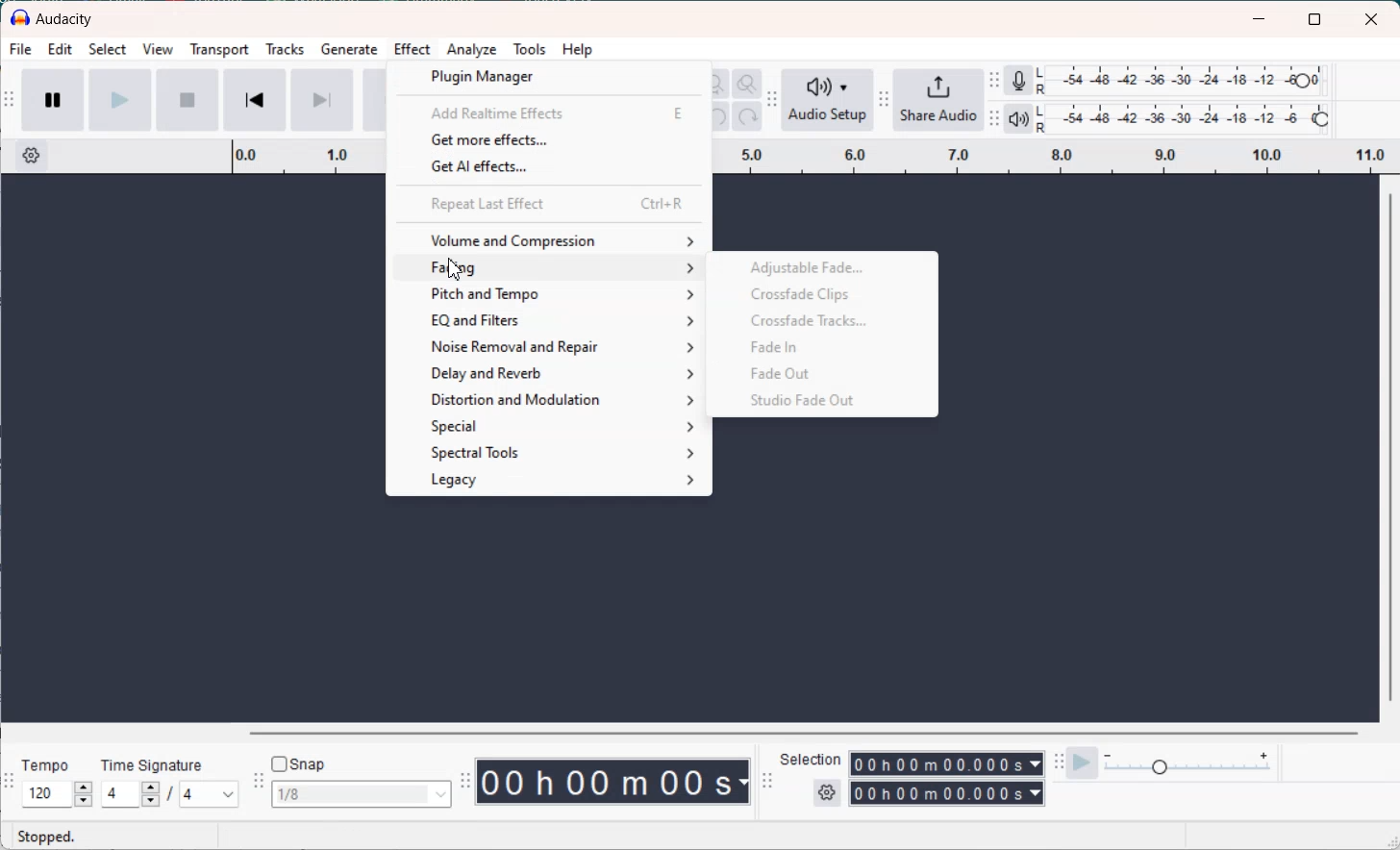 This screenshot has height=850, width=1400. What do you see at coordinates (549, 295) in the screenshot?
I see `Pitch and Tempo` at bounding box center [549, 295].